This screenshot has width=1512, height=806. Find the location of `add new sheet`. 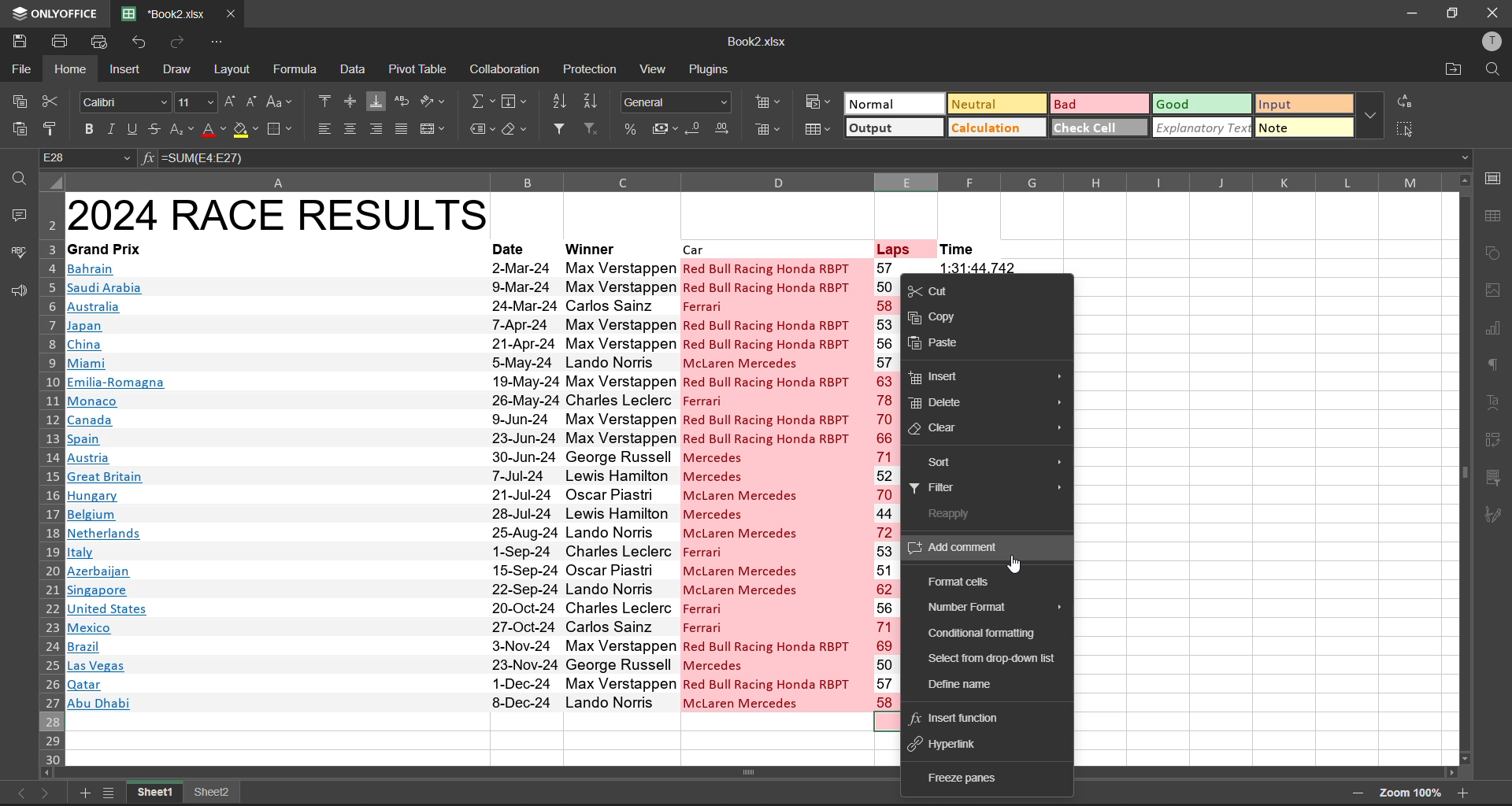

add new sheet is located at coordinates (84, 793).